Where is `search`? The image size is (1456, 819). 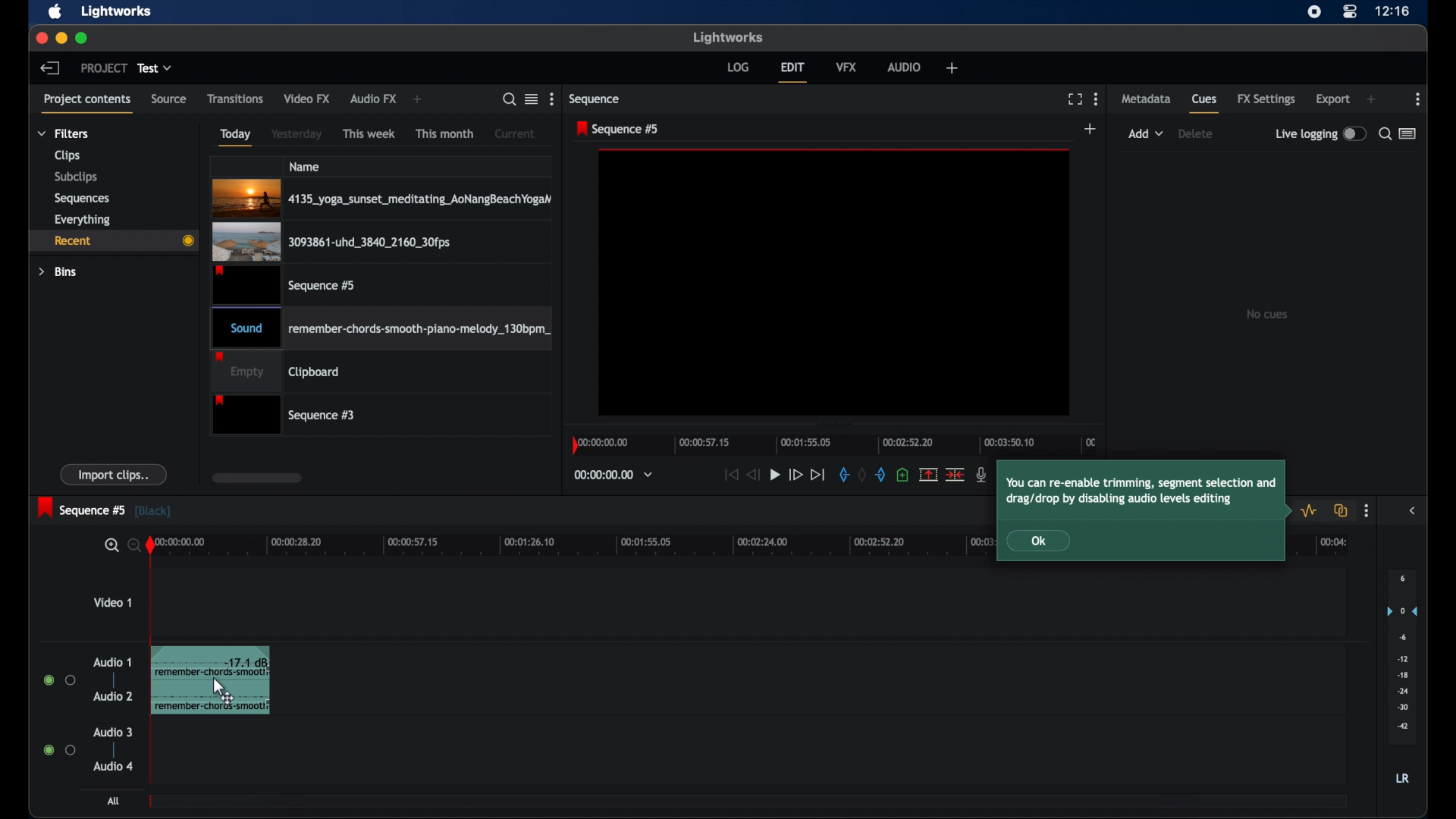
search is located at coordinates (1384, 133).